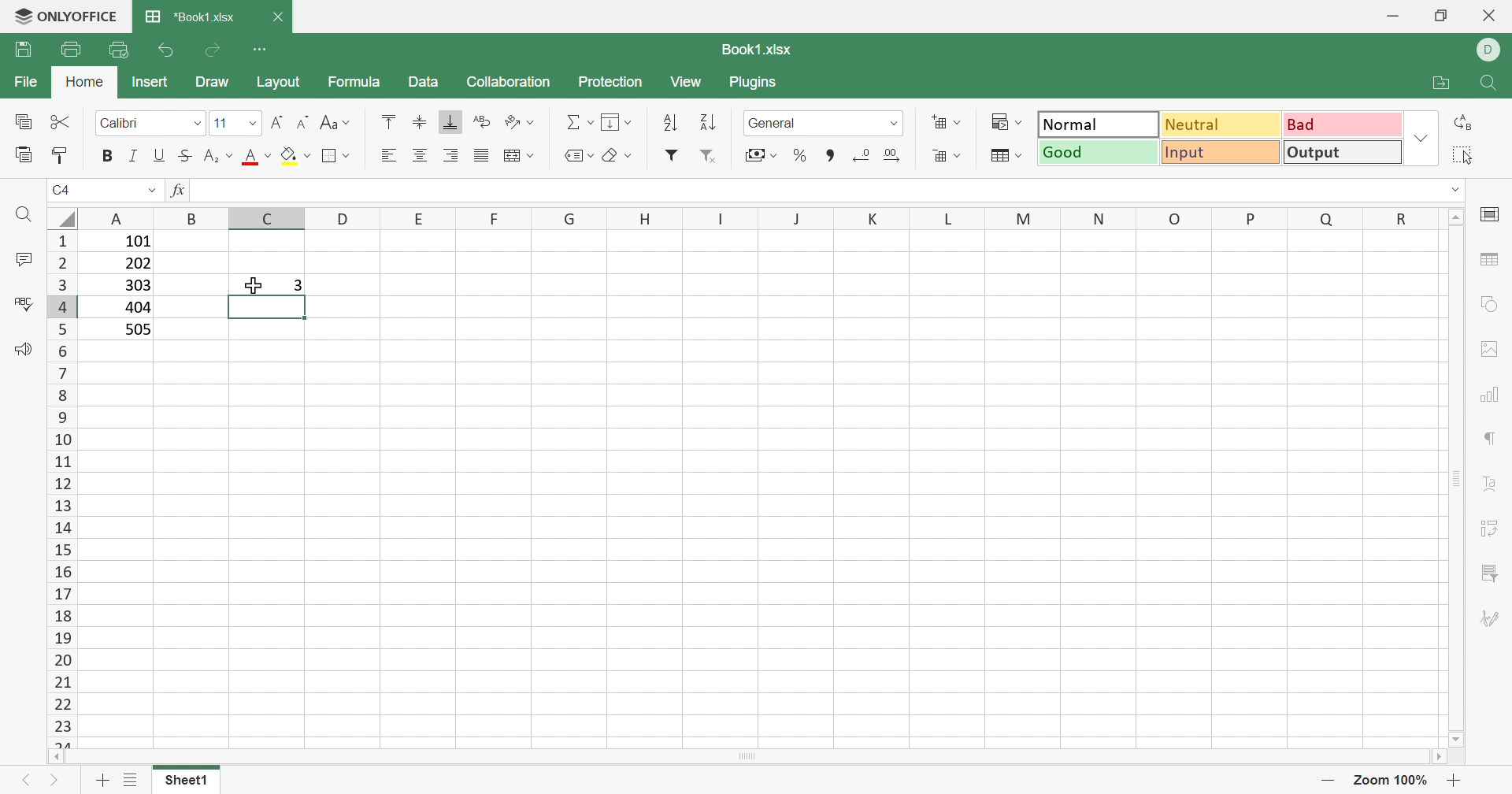 This screenshot has width=1512, height=794. I want to click on Find, so click(1490, 83).